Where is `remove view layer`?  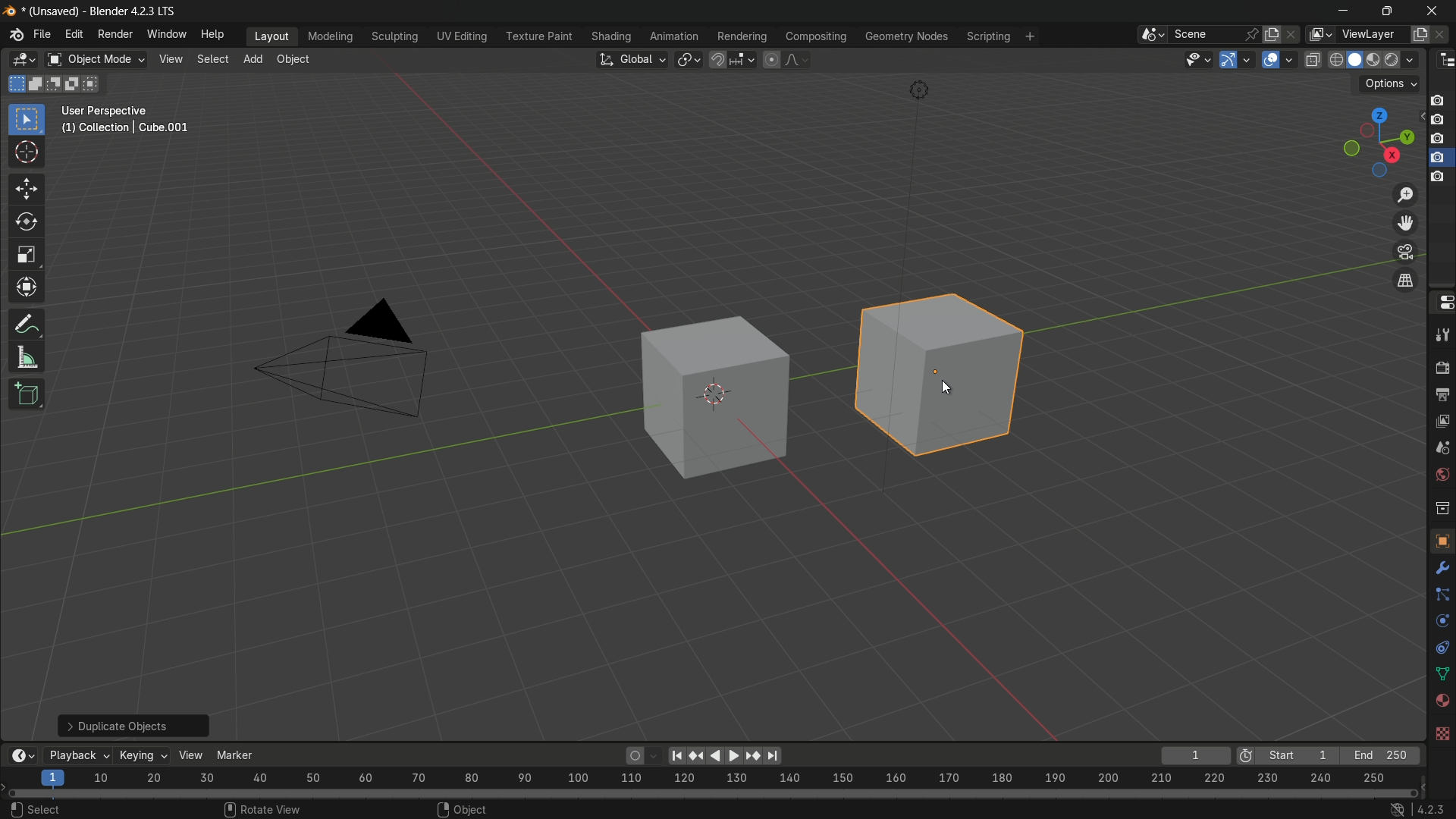
remove view layer is located at coordinates (1445, 33).